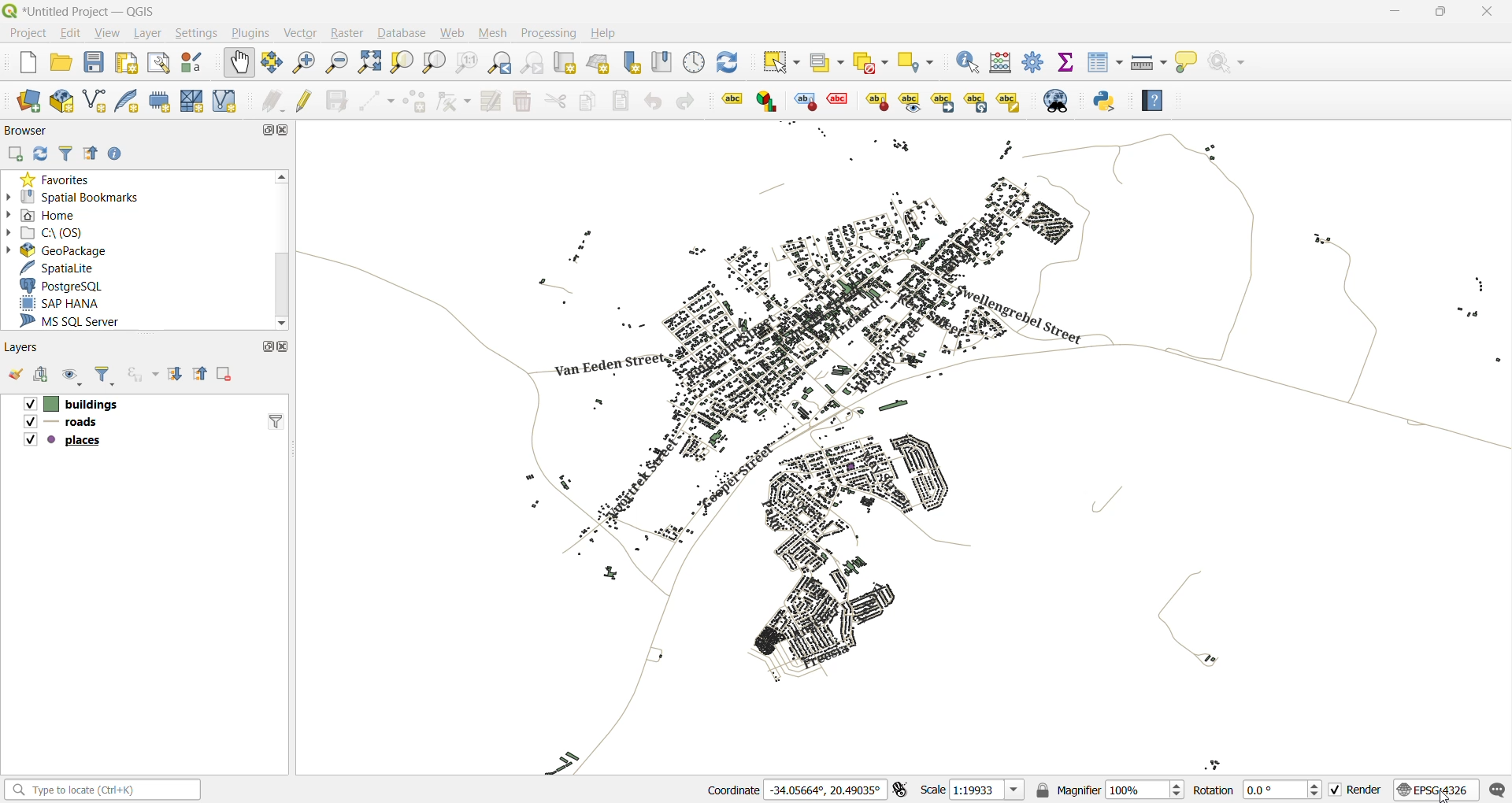  I want to click on show tips, so click(1186, 64).